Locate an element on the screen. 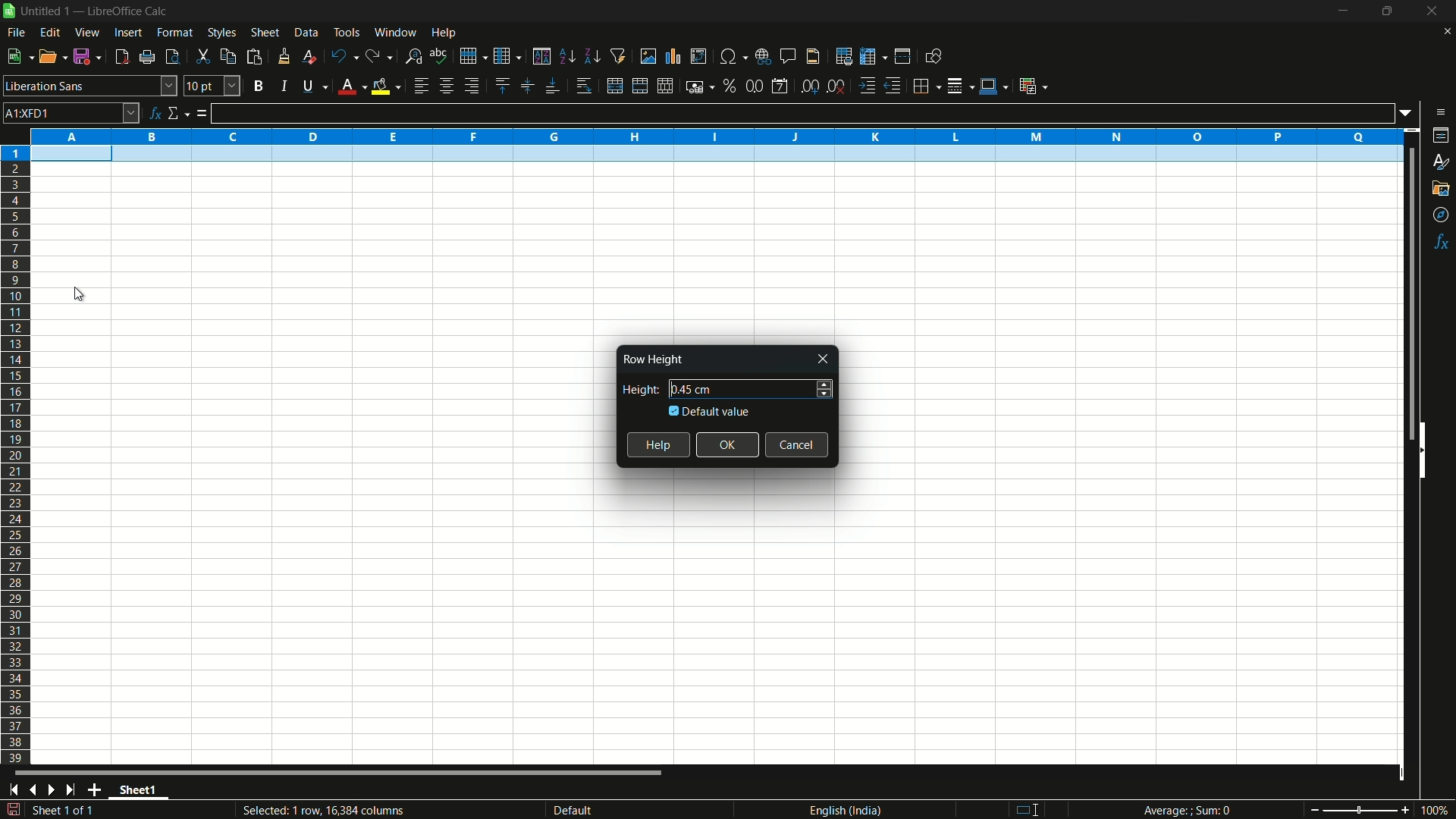 The width and height of the screenshot is (1456, 819). print is located at coordinates (147, 58).